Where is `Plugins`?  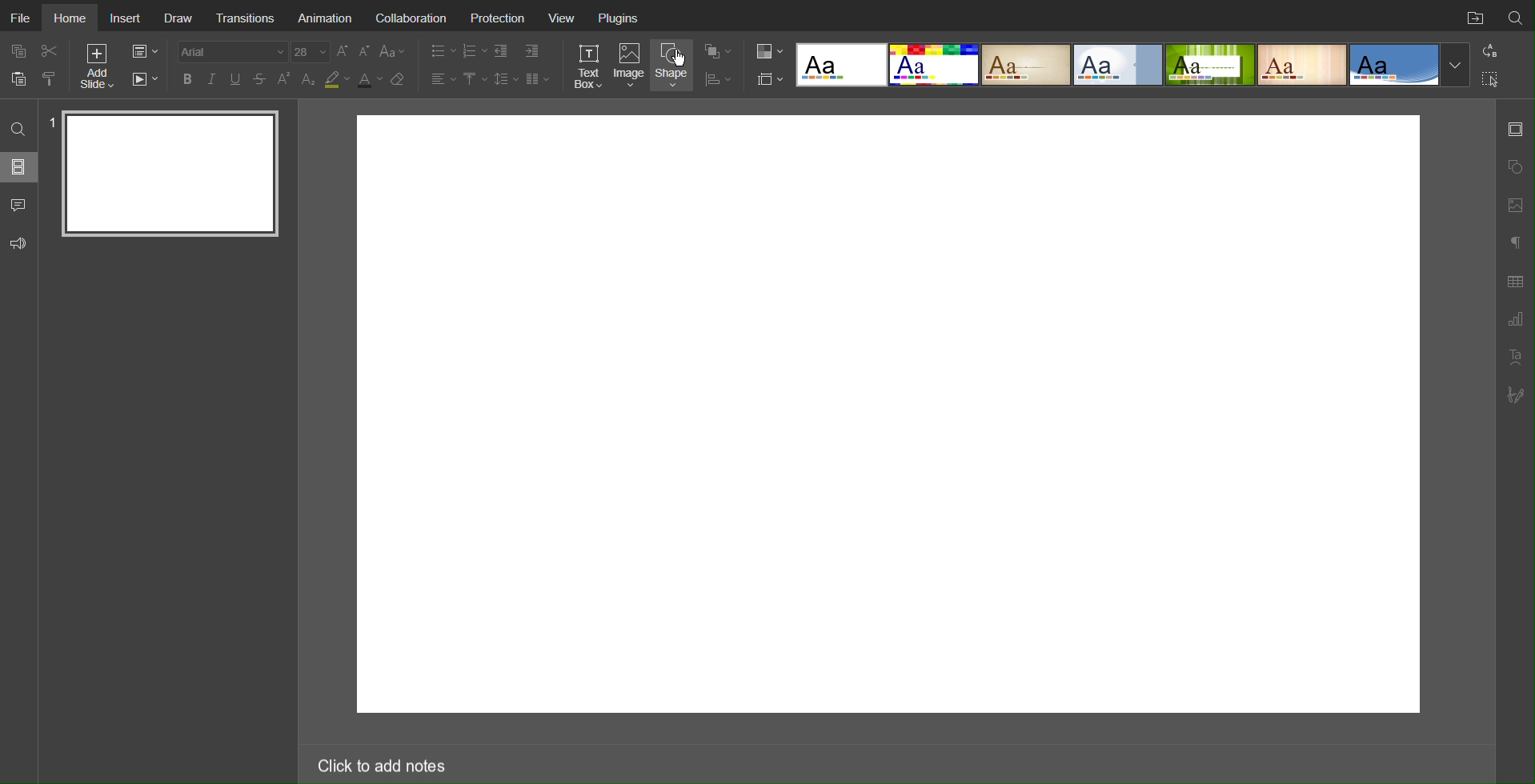
Plugins is located at coordinates (618, 17).